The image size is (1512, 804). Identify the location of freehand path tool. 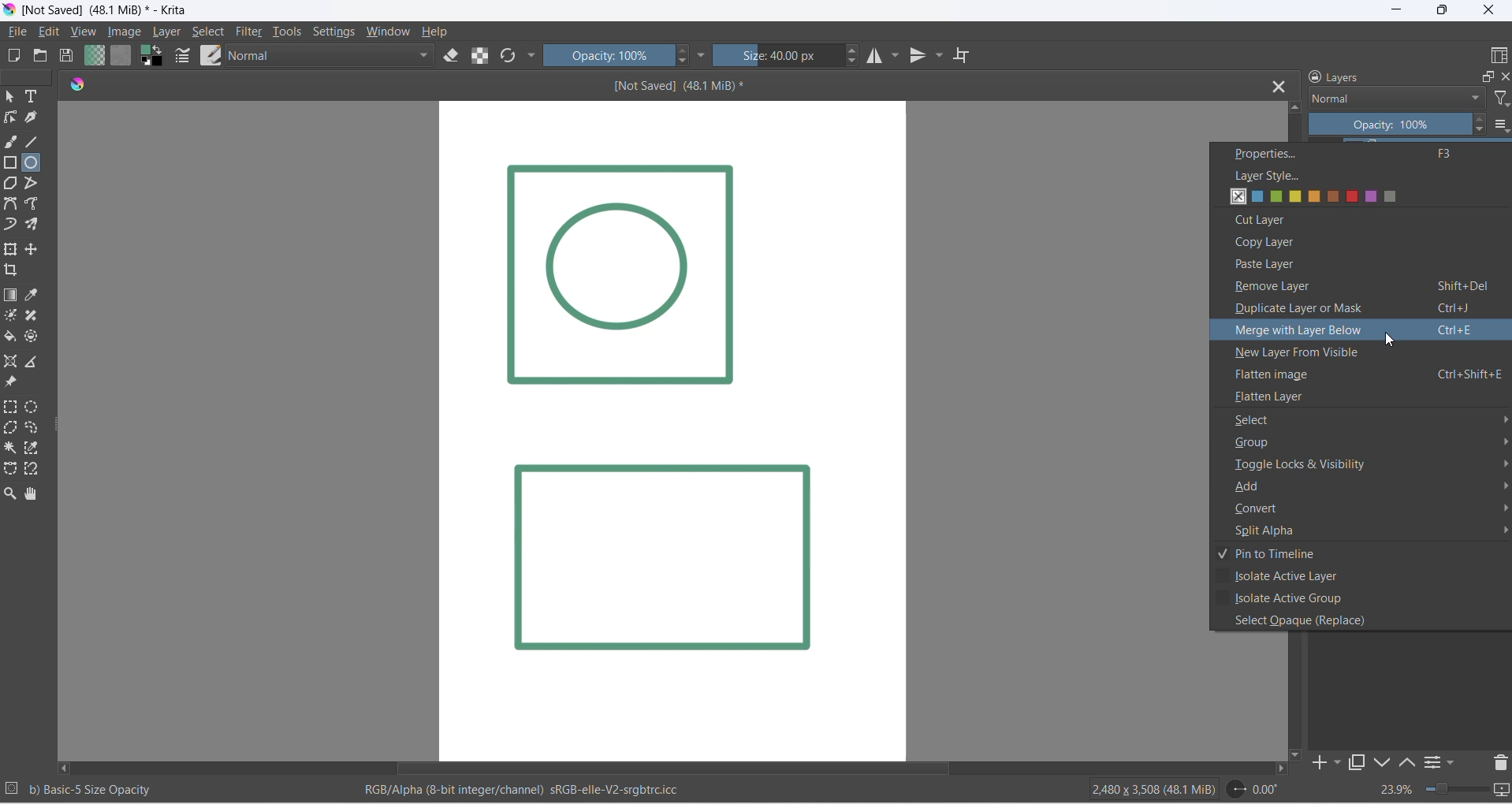
(37, 204).